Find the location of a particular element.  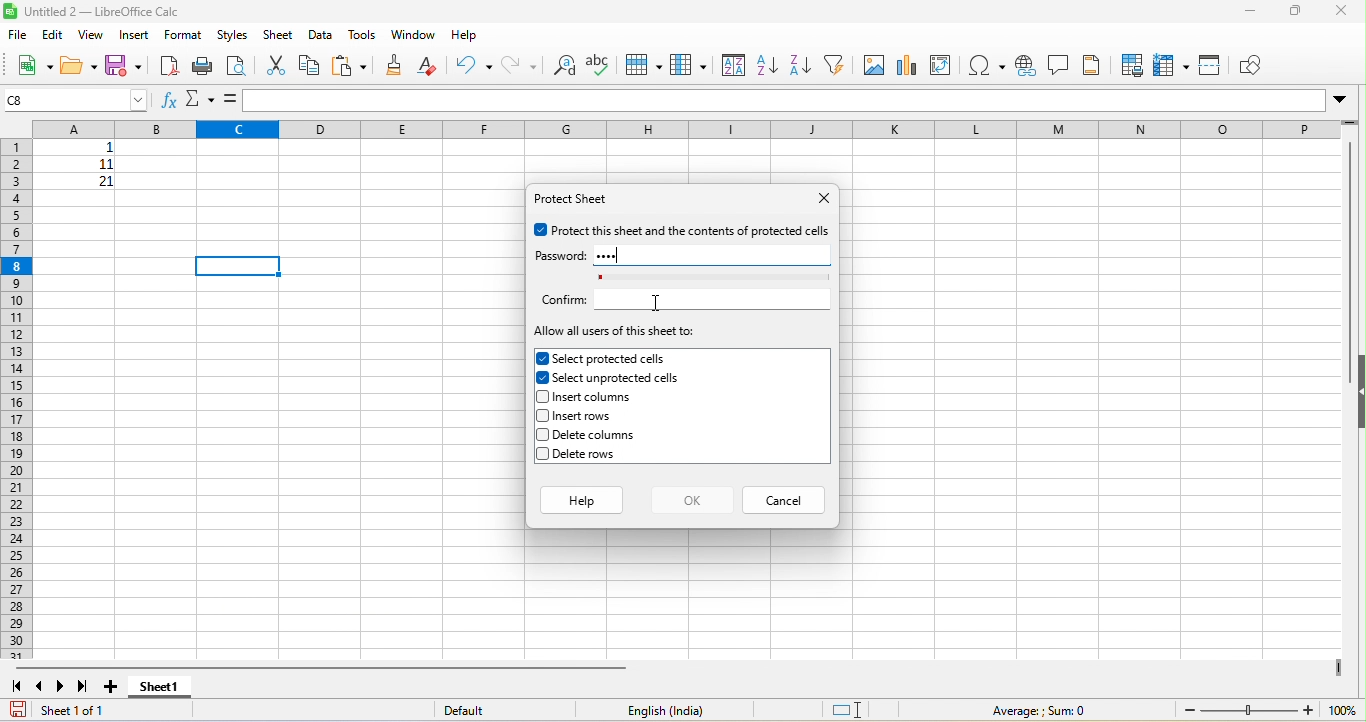

close is located at coordinates (815, 199).